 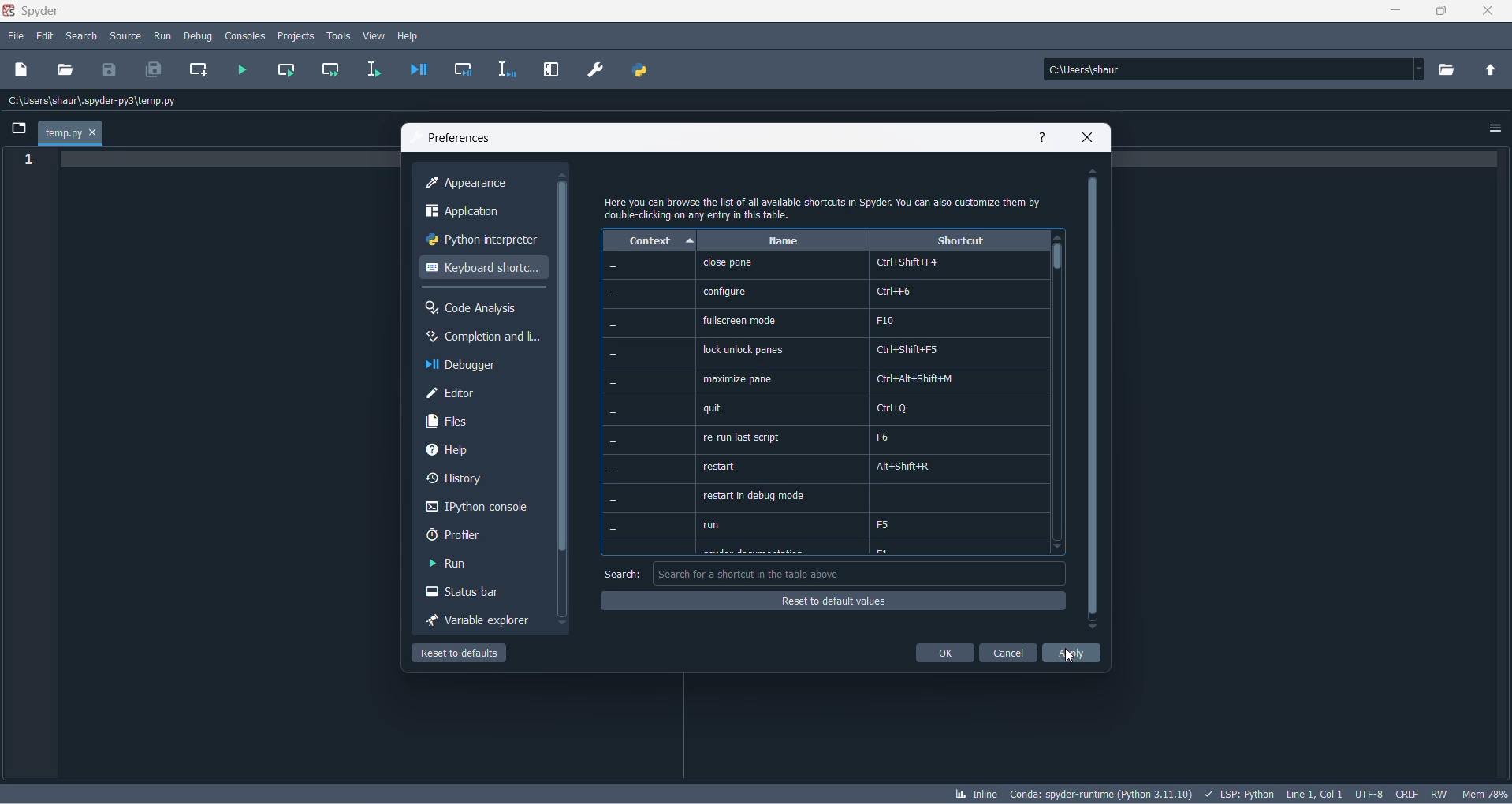 I want to click on minimize, so click(x=1399, y=13).